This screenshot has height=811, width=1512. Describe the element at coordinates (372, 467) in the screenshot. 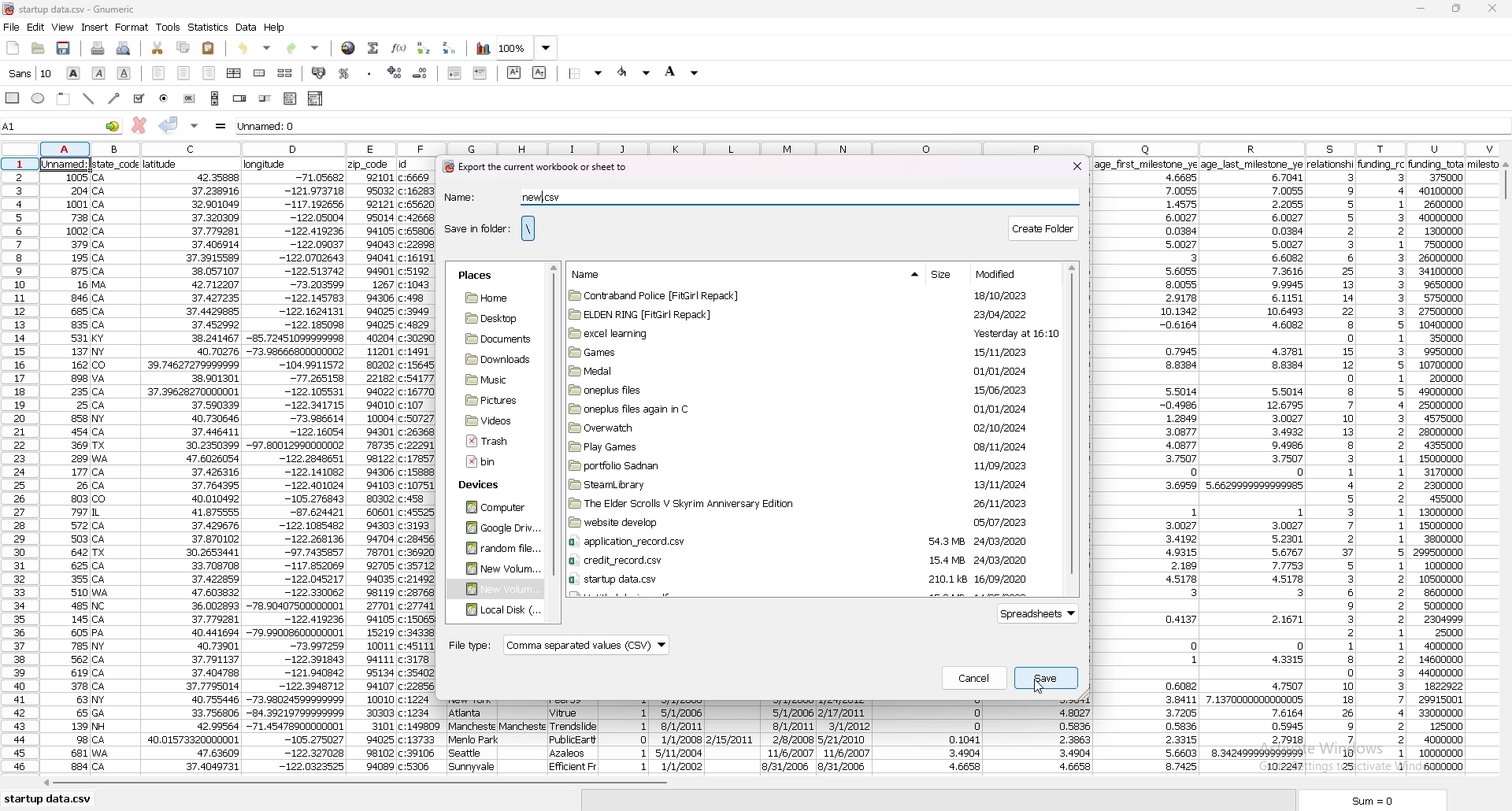

I see `data` at that location.